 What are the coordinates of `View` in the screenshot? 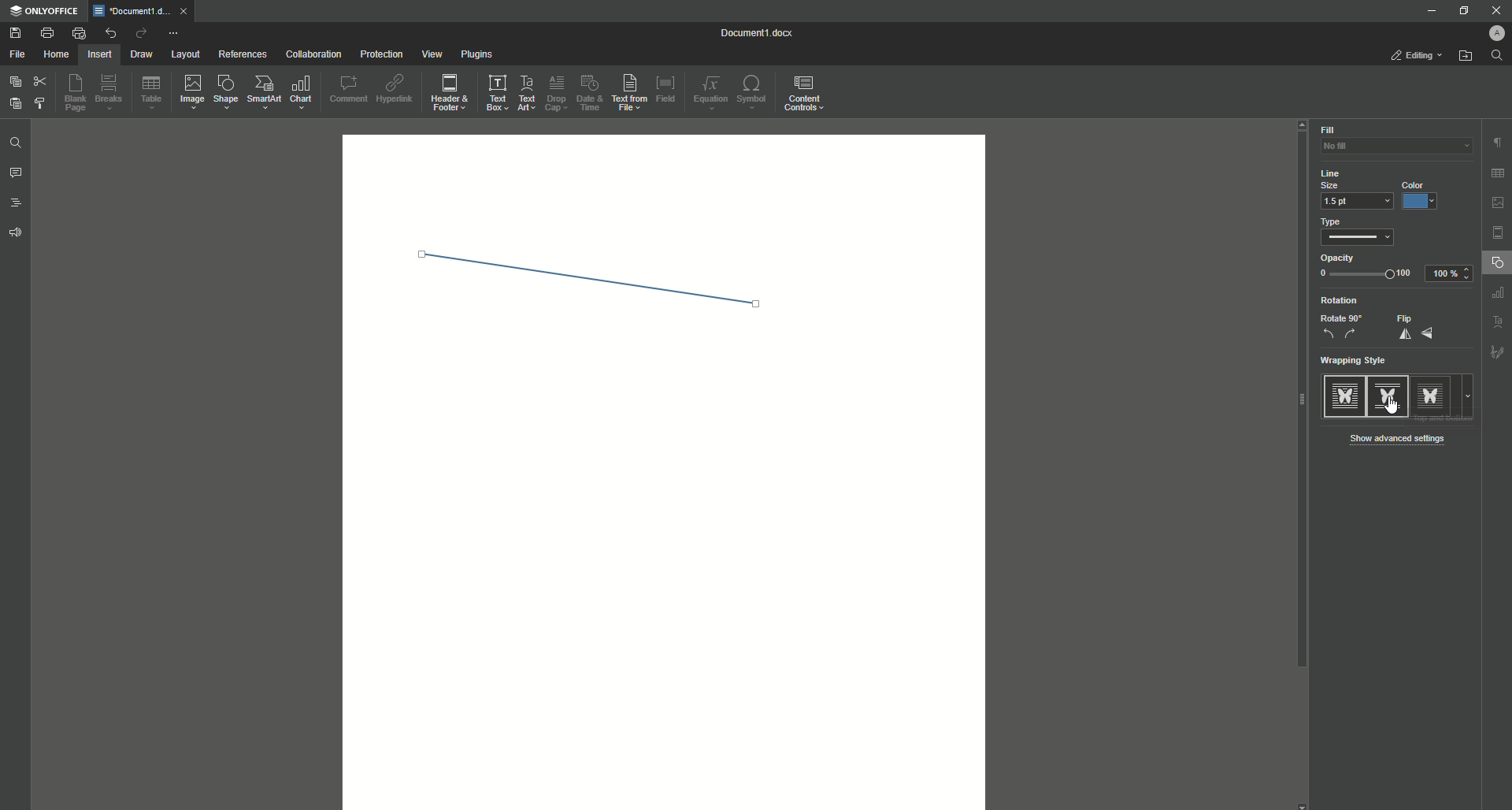 It's located at (431, 54).